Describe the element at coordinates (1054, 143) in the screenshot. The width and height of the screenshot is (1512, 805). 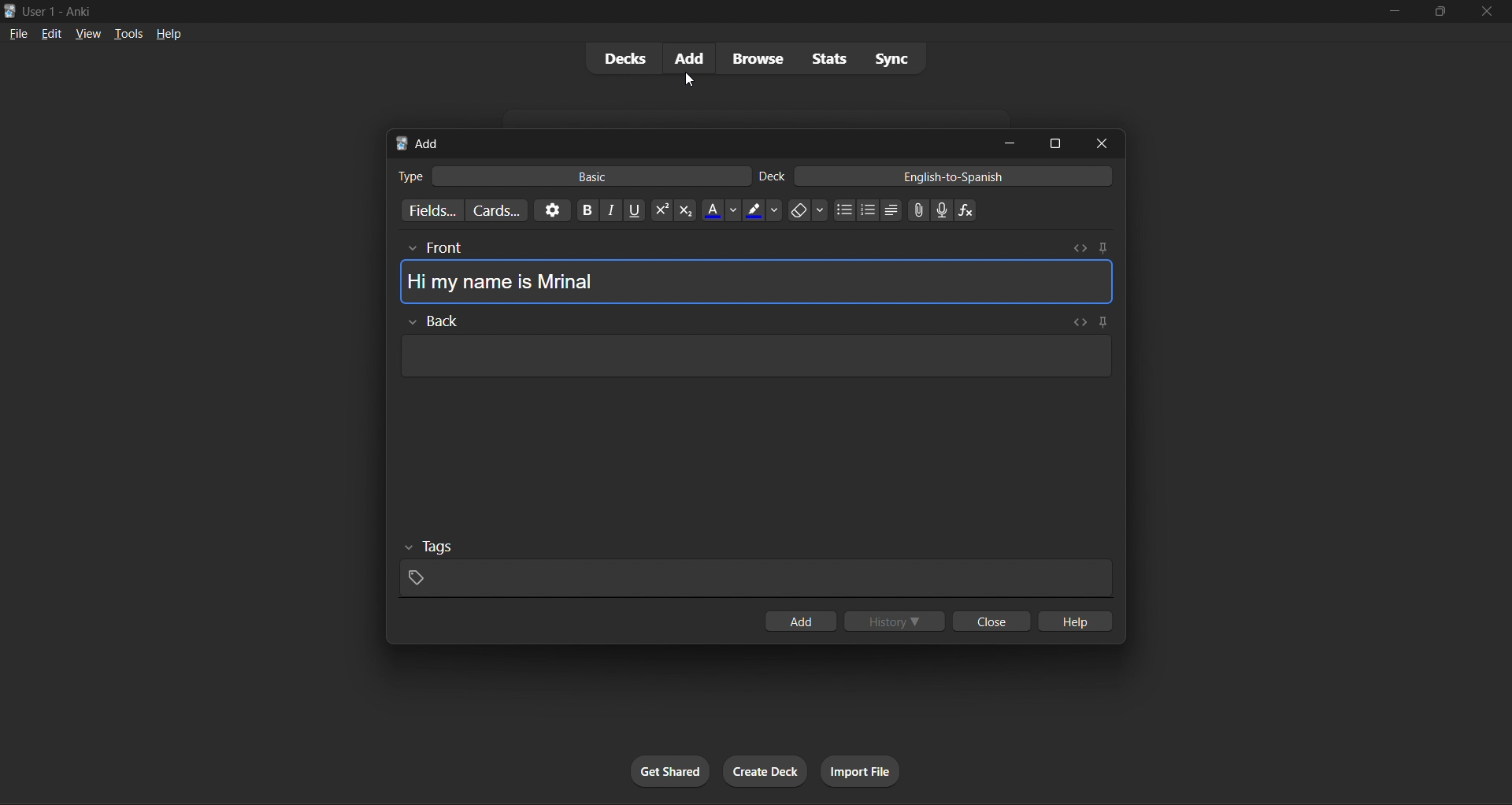
I see `maximize` at that location.